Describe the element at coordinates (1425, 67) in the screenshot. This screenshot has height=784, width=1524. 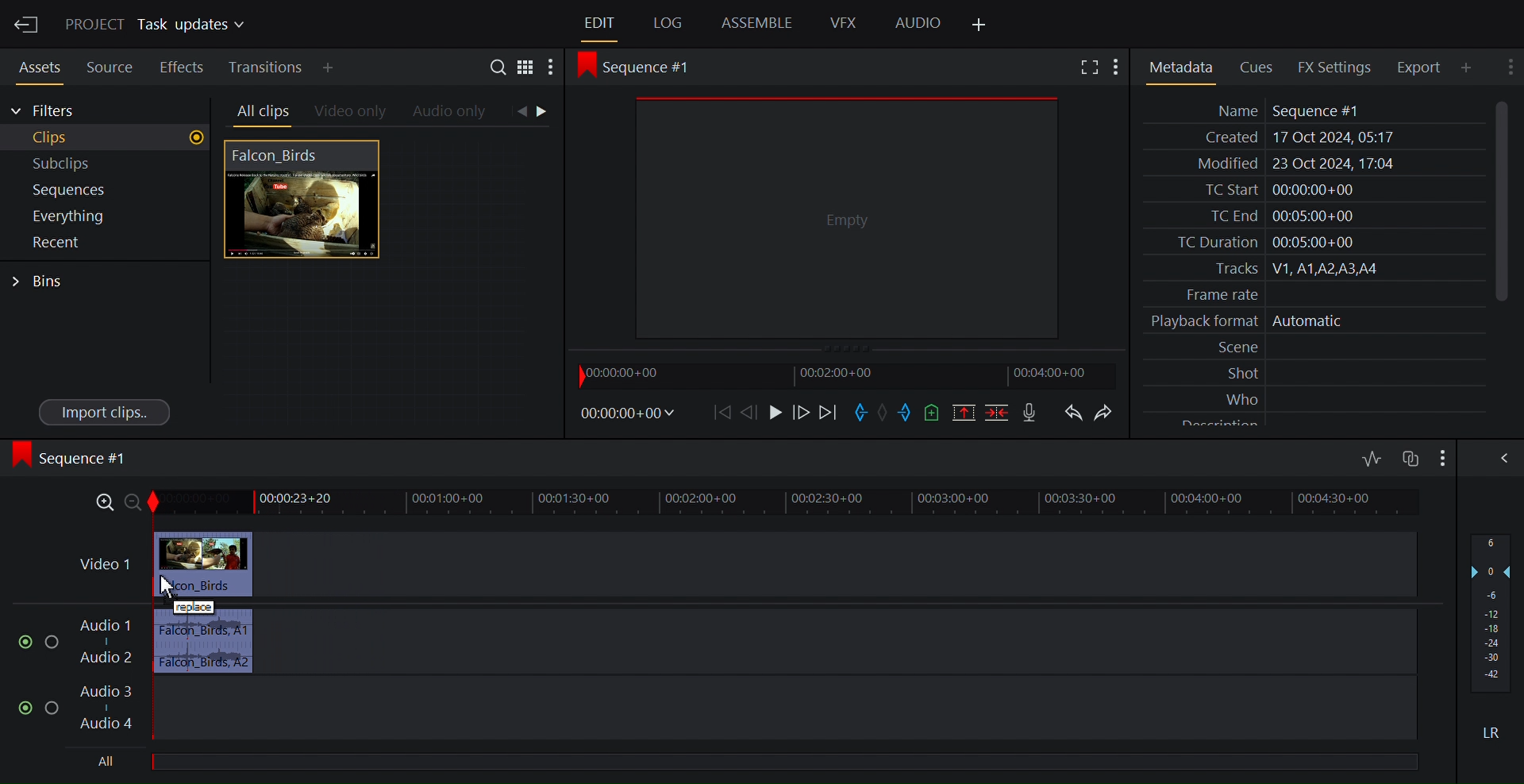
I see `Export` at that location.